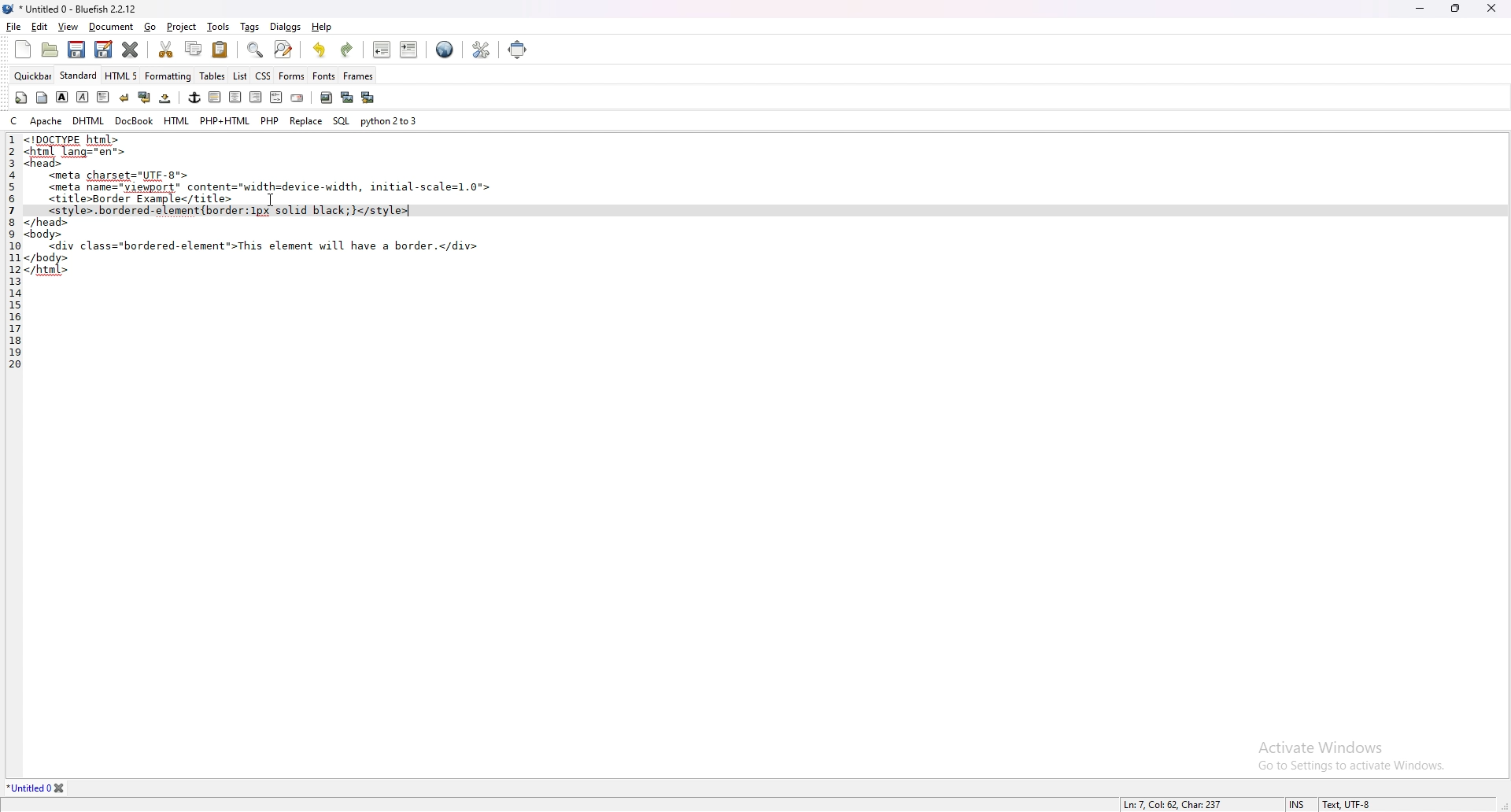 The width and height of the screenshot is (1511, 812). I want to click on <!DOCTYPE html><html lang=ren-><head><meta charset="UTE-8"><meta name="viewport" content="width=device-width, initial-scale=1.0"><titleBorder Example</title><style>.bordered-element {border :1px solid black;}</style></head><body><div class="bordered-element >This element will have a border.</div></body></html>, so click(265, 208).